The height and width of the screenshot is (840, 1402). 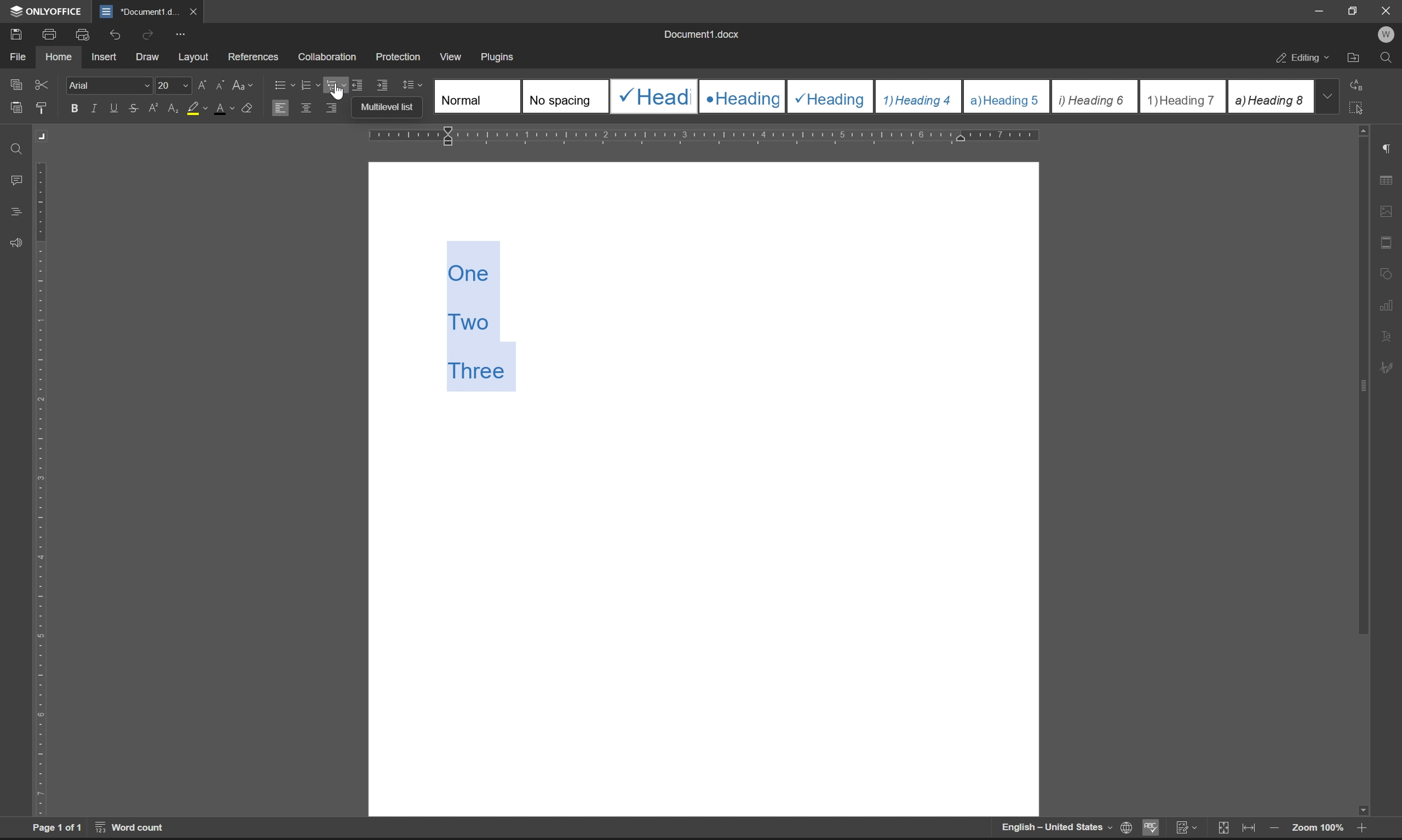 What do you see at coordinates (337, 84) in the screenshot?
I see `multilevel list` at bounding box center [337, 84].